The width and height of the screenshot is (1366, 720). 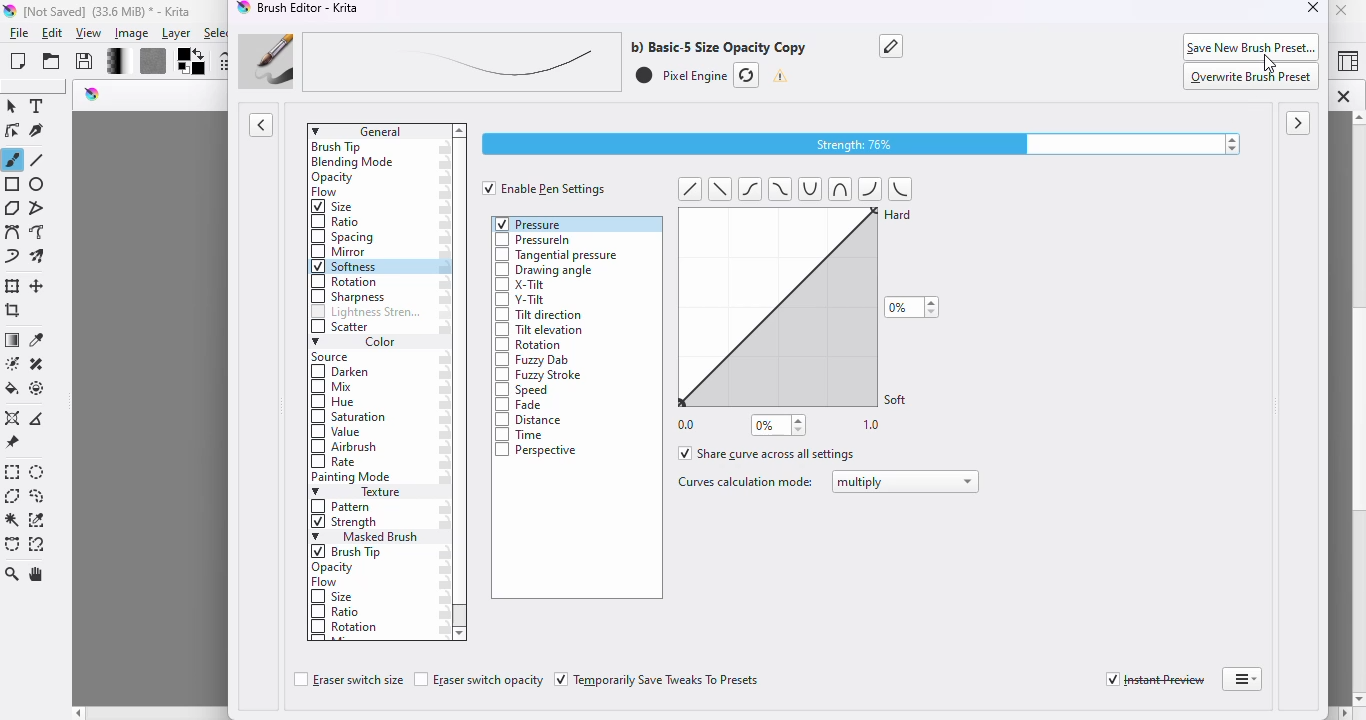 What do you see at coordinates (18, 61) in the screenshot?
I see `create new document` at bounding box center [18, 61].